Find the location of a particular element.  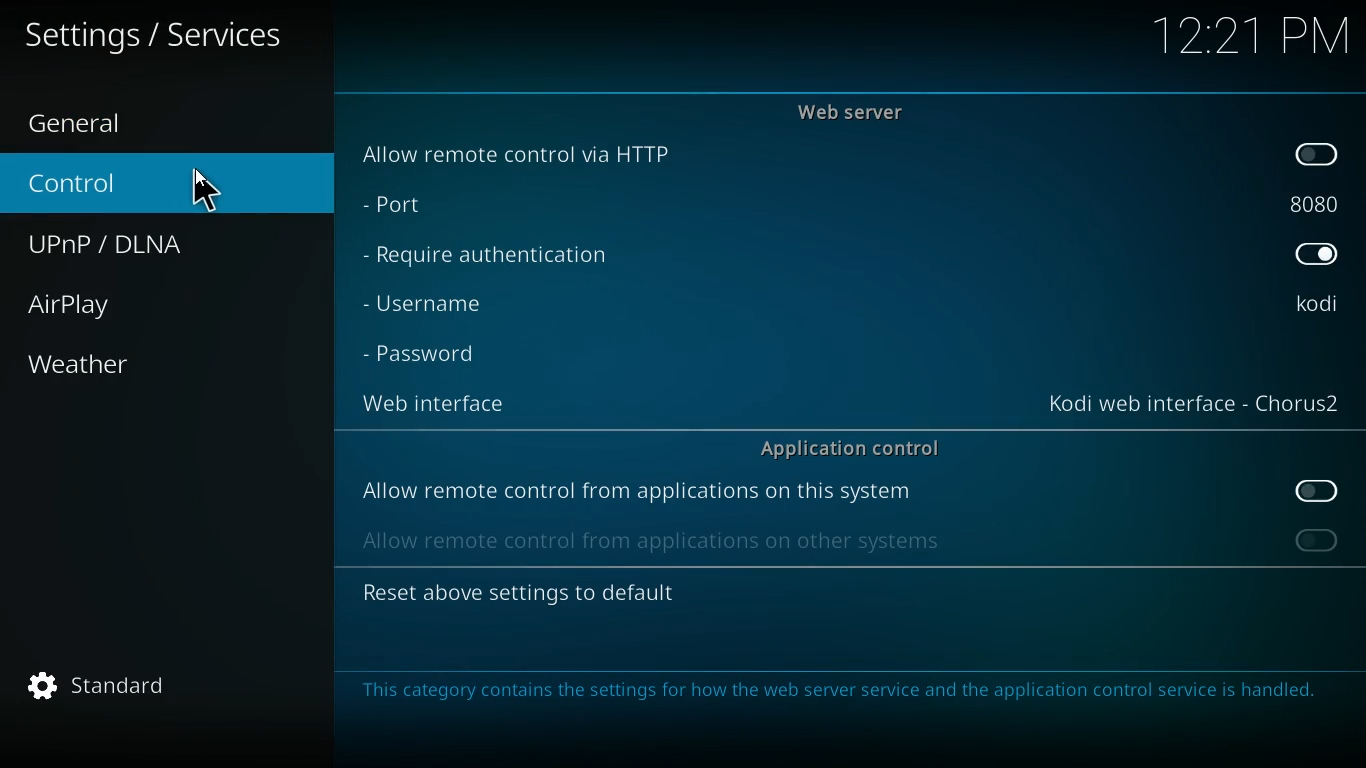

password is located at coordinates (426, 354).